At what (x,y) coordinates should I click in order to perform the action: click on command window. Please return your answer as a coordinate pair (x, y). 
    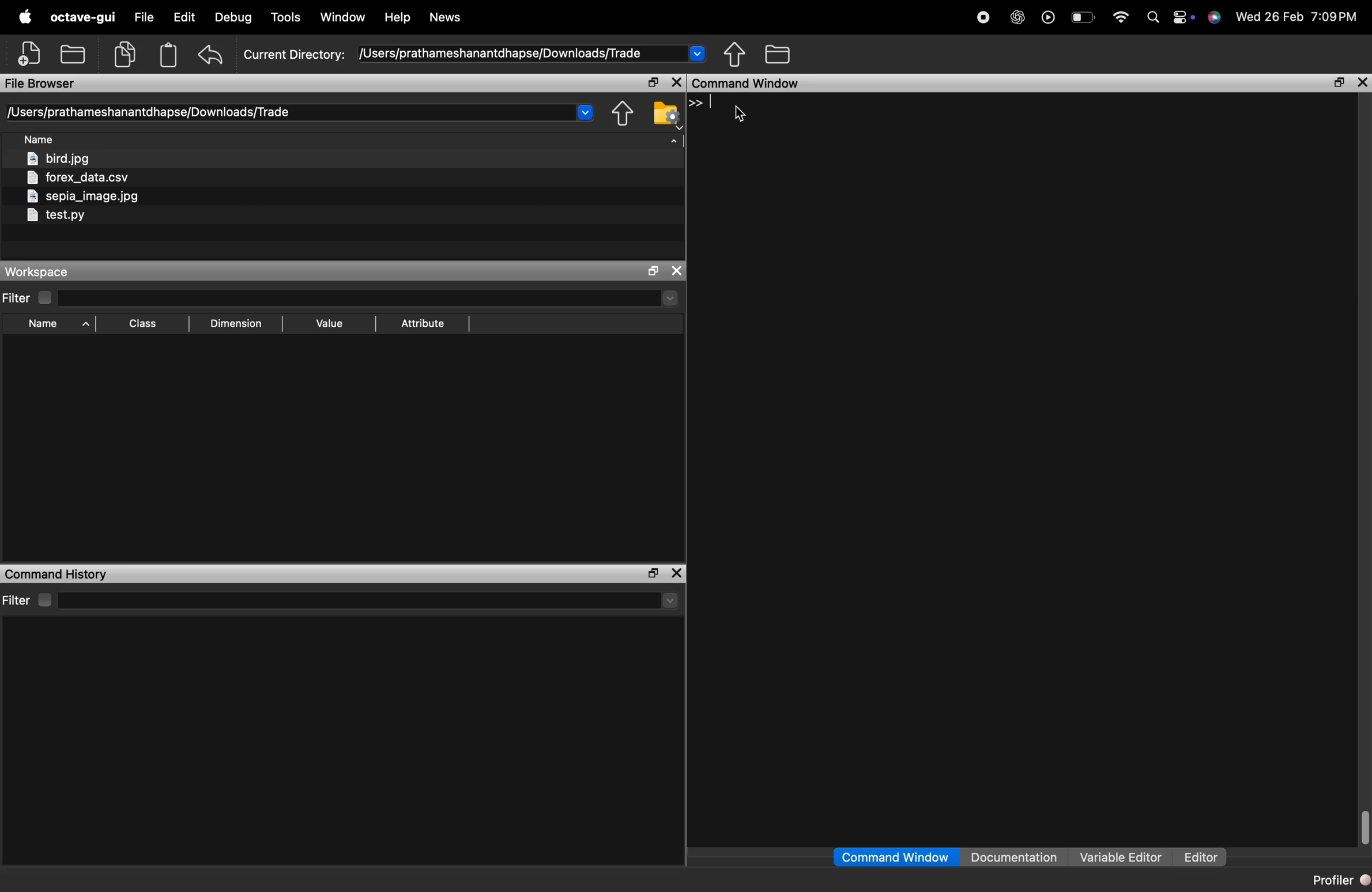
    Looking at the image, I should click on (894, 857).